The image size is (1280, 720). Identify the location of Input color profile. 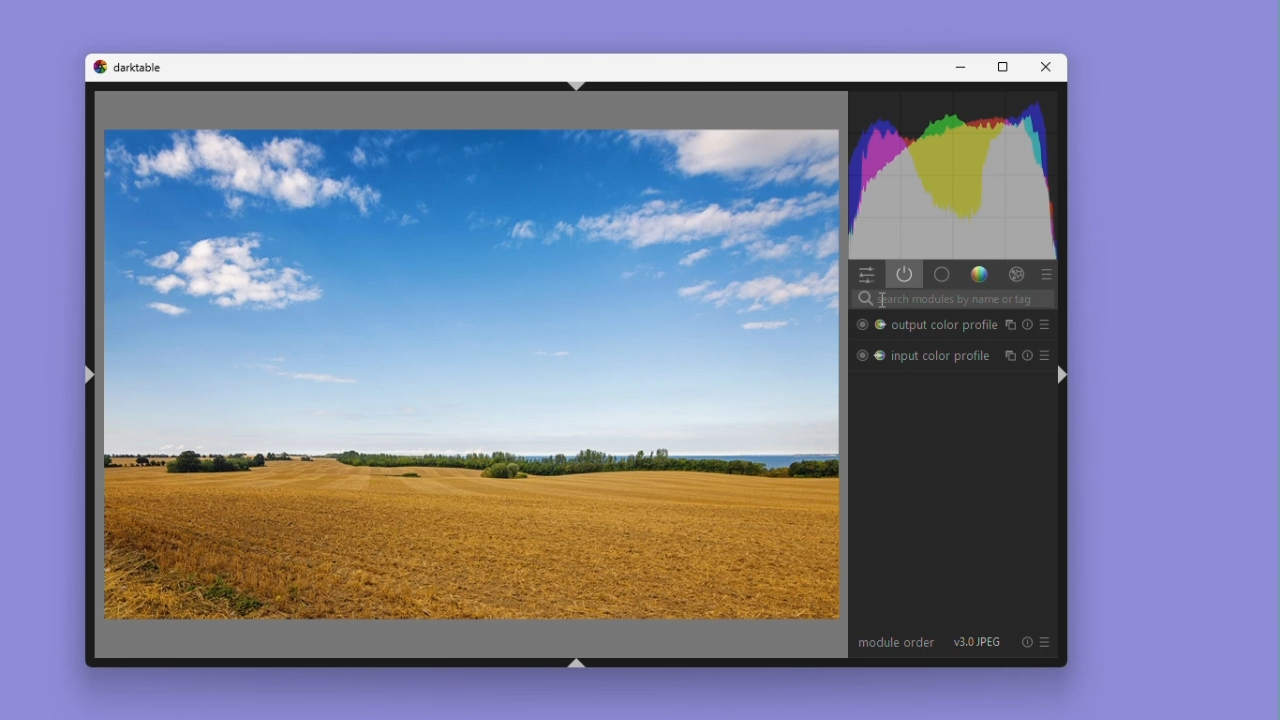
(945, 354).